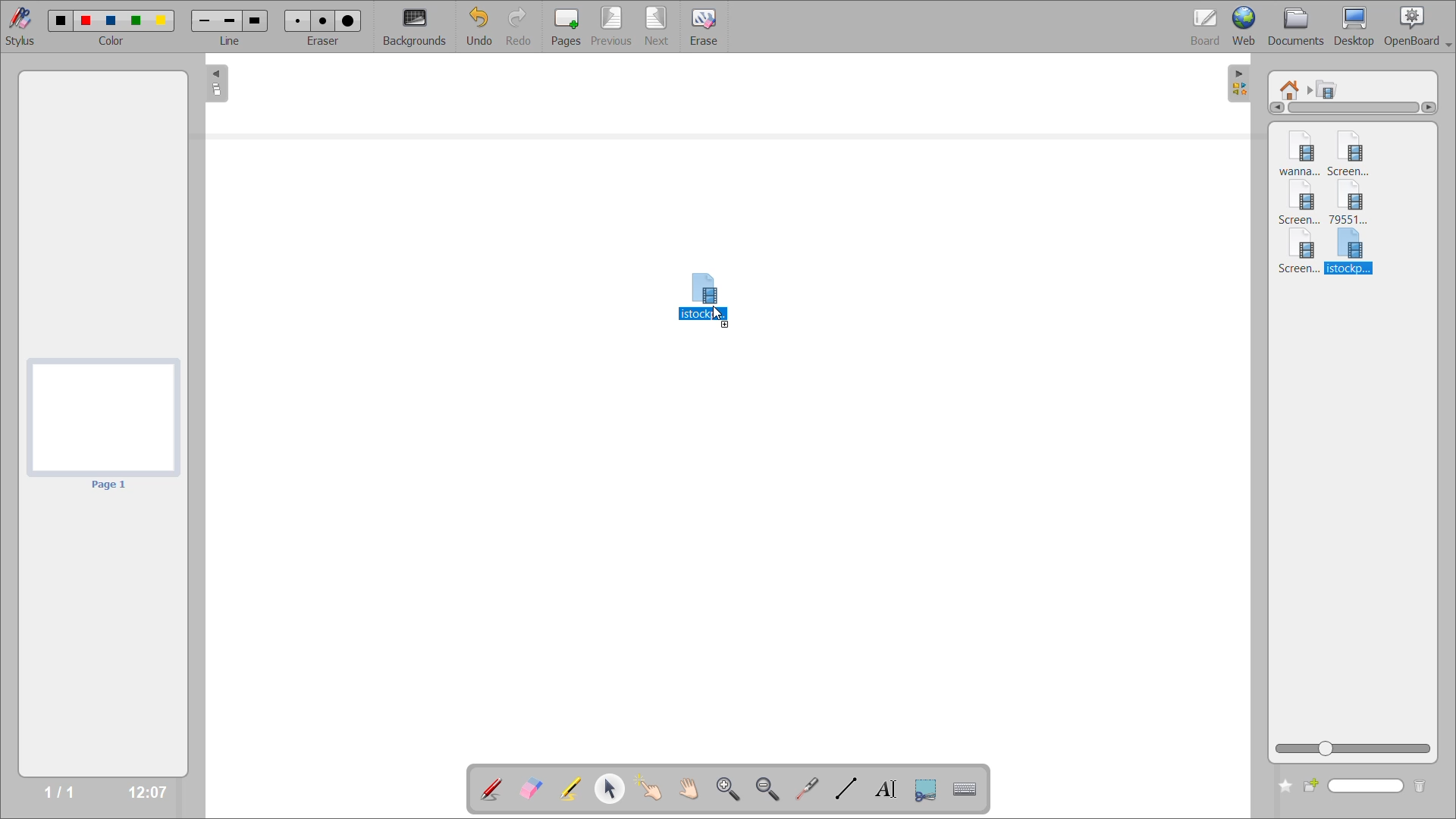  What do you see at coordinates (114, 42) in the screenshot?
I see `color ` at bounding box center [114, 42].